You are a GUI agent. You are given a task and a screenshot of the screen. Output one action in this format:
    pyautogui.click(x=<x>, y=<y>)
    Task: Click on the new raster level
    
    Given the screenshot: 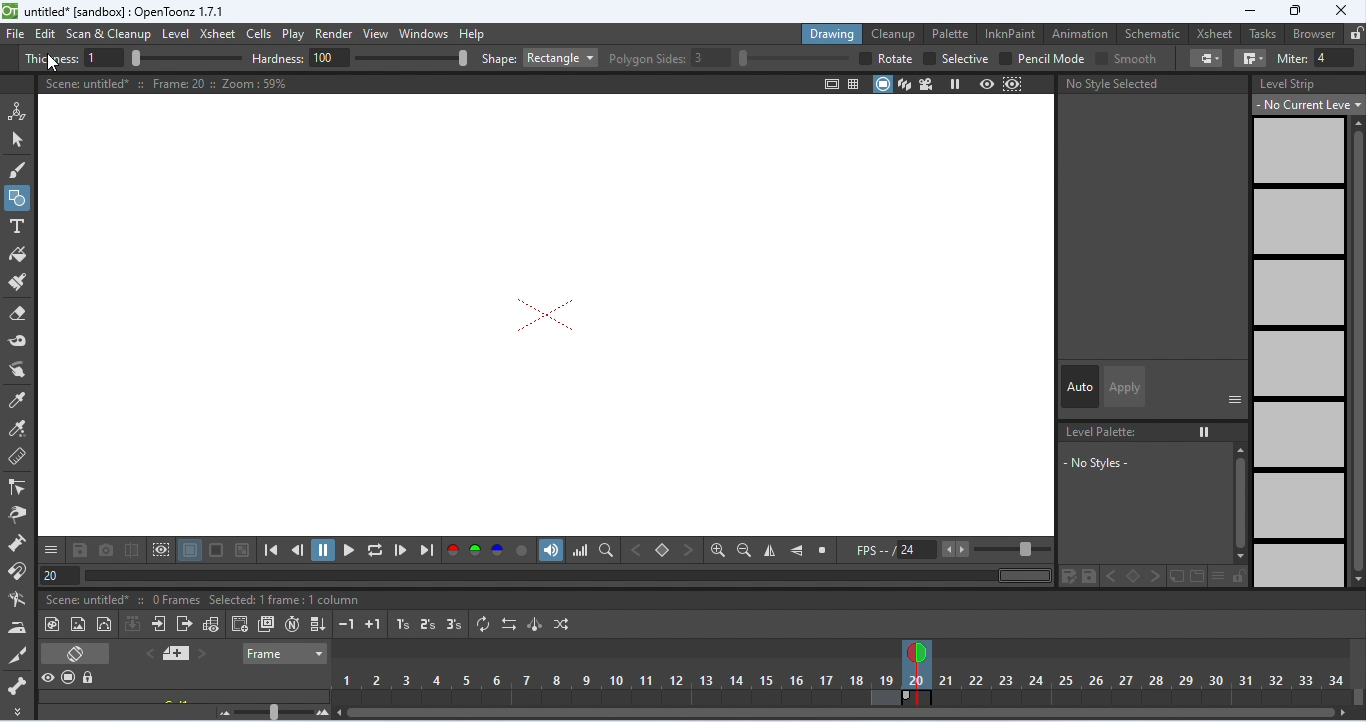 What is the action you would take?
    pyautogui.click(x=78, y=623)
    